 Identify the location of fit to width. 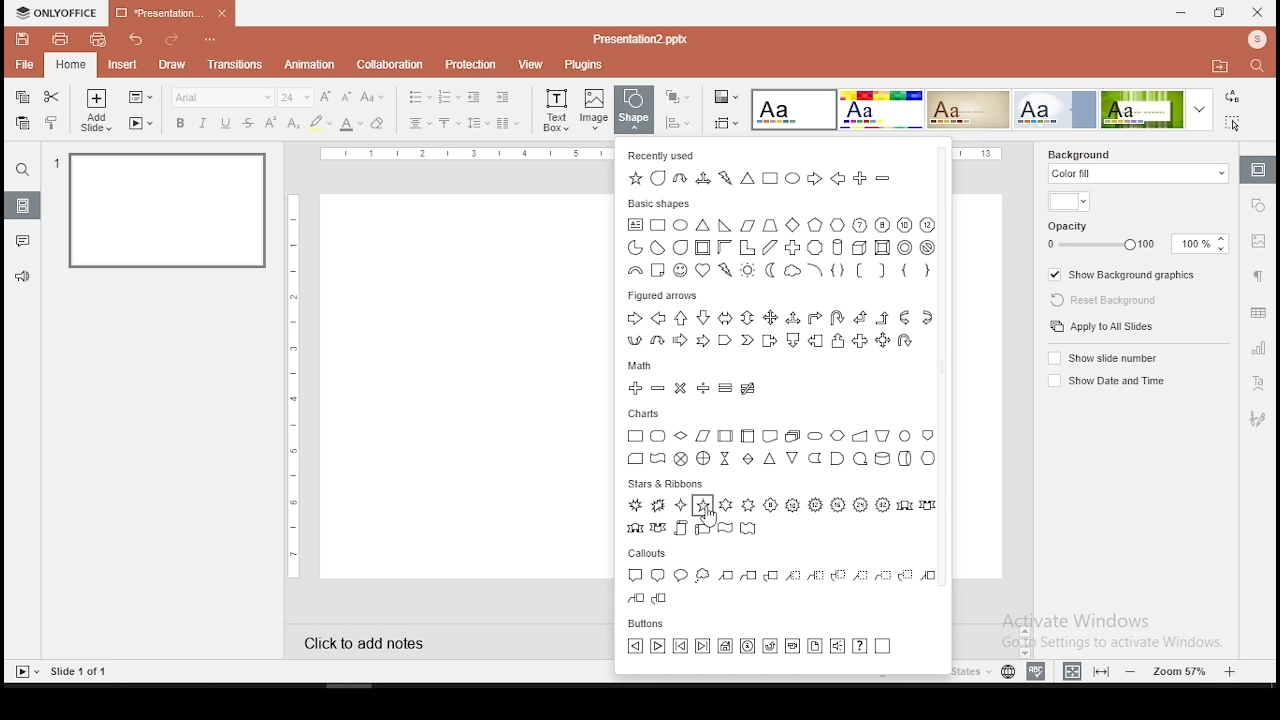
(1072, 670).